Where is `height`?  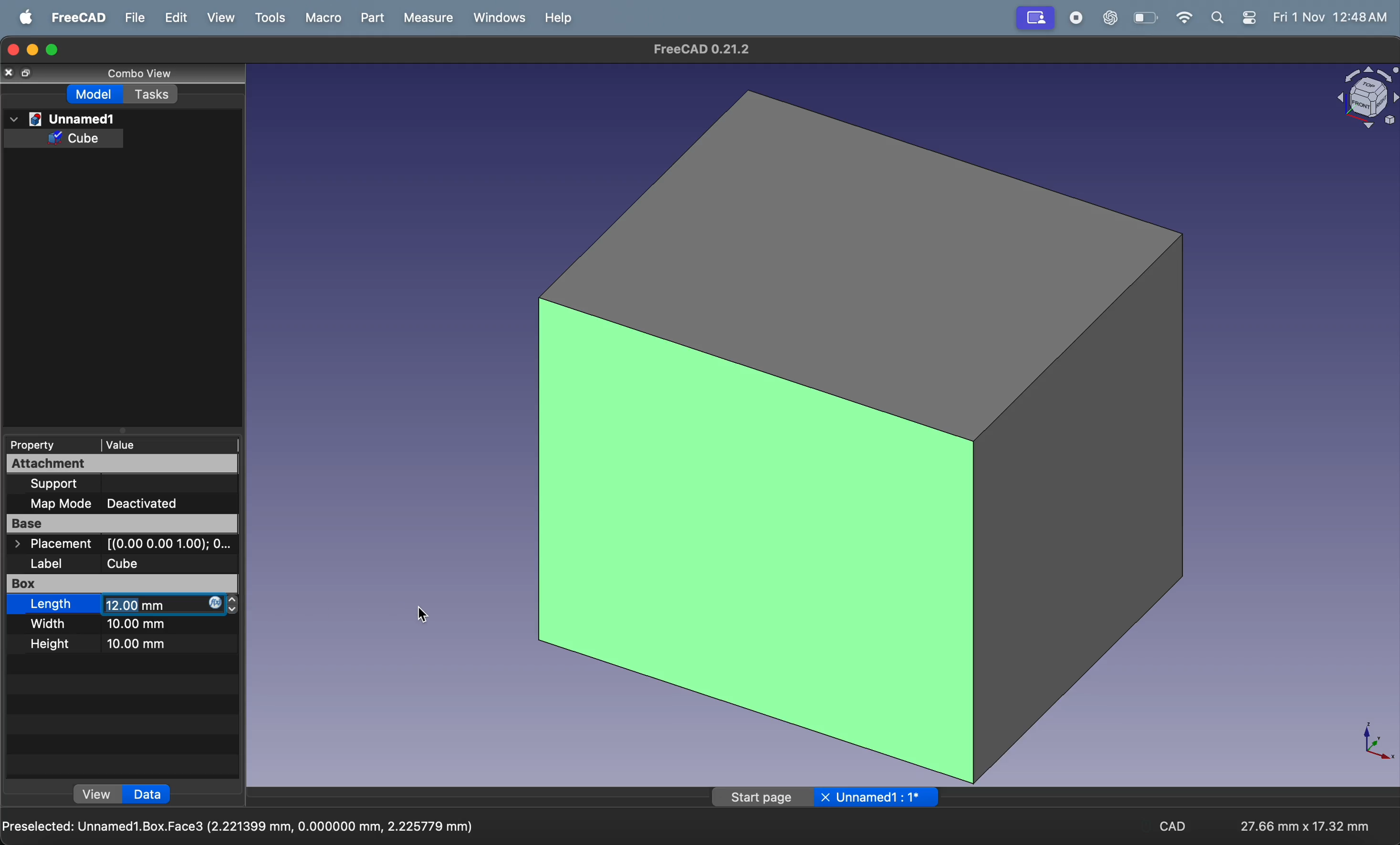 height is located at coordinates (56, 643).